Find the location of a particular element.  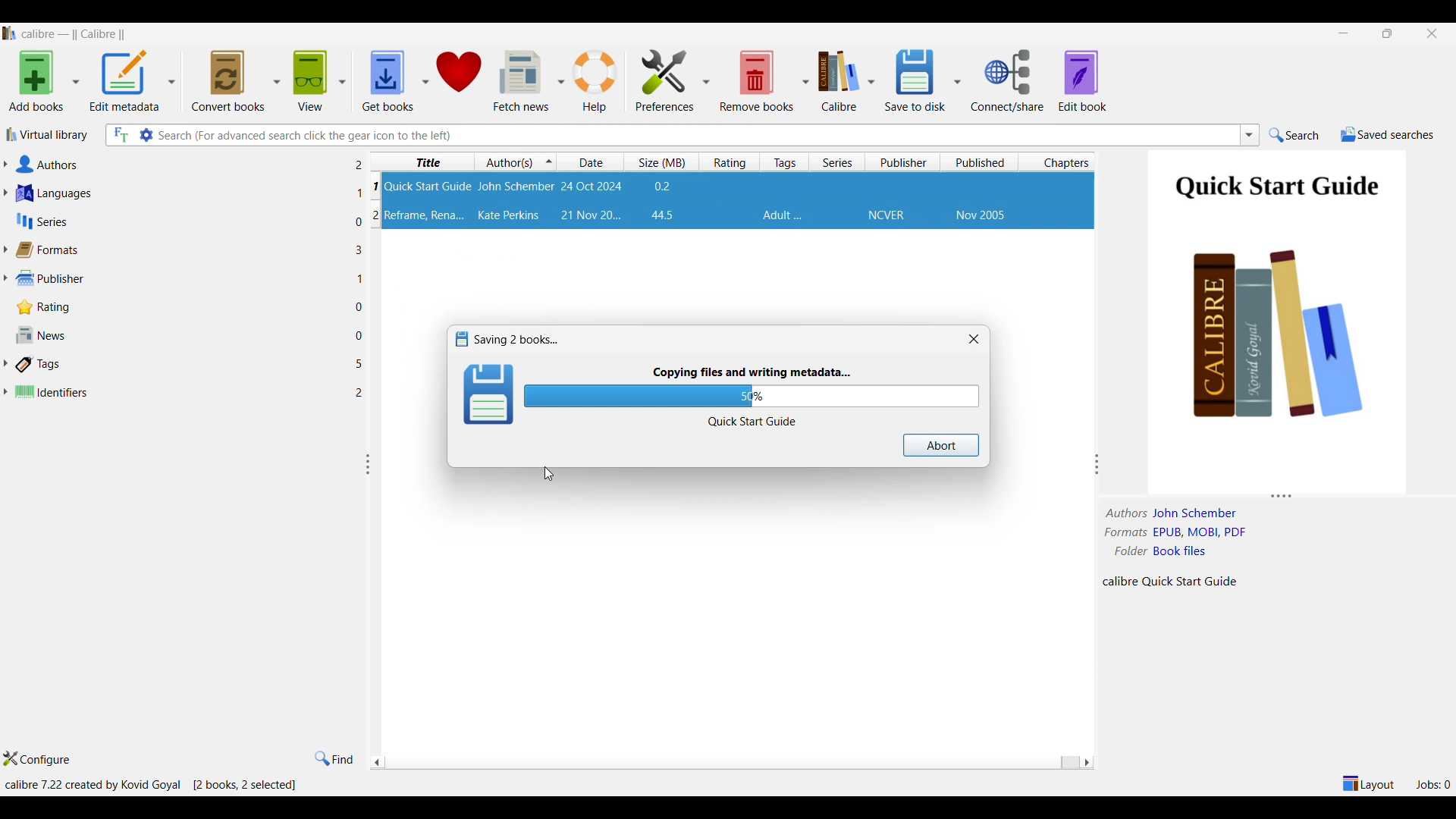

Horizontal slide bar is located at coordinates (728, 764).